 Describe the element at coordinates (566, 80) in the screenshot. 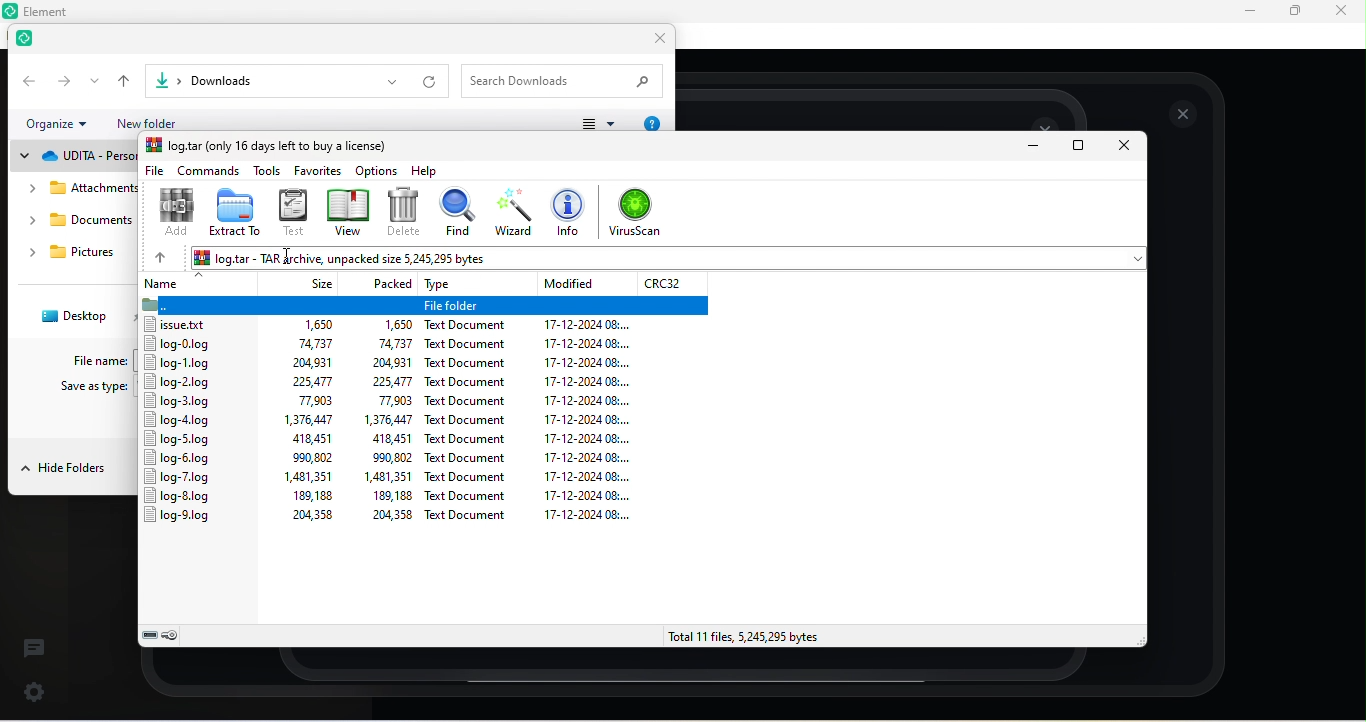

I see `search` at that location.